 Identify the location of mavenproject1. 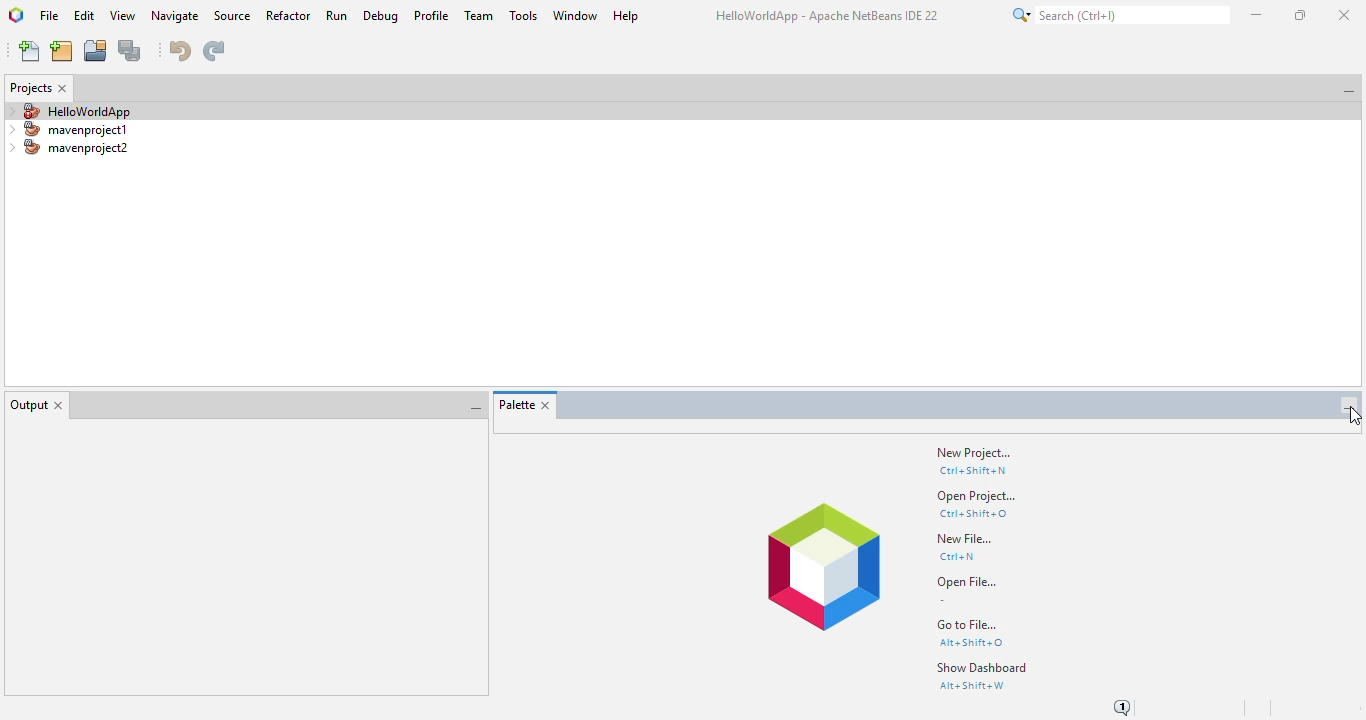
(68, 129).